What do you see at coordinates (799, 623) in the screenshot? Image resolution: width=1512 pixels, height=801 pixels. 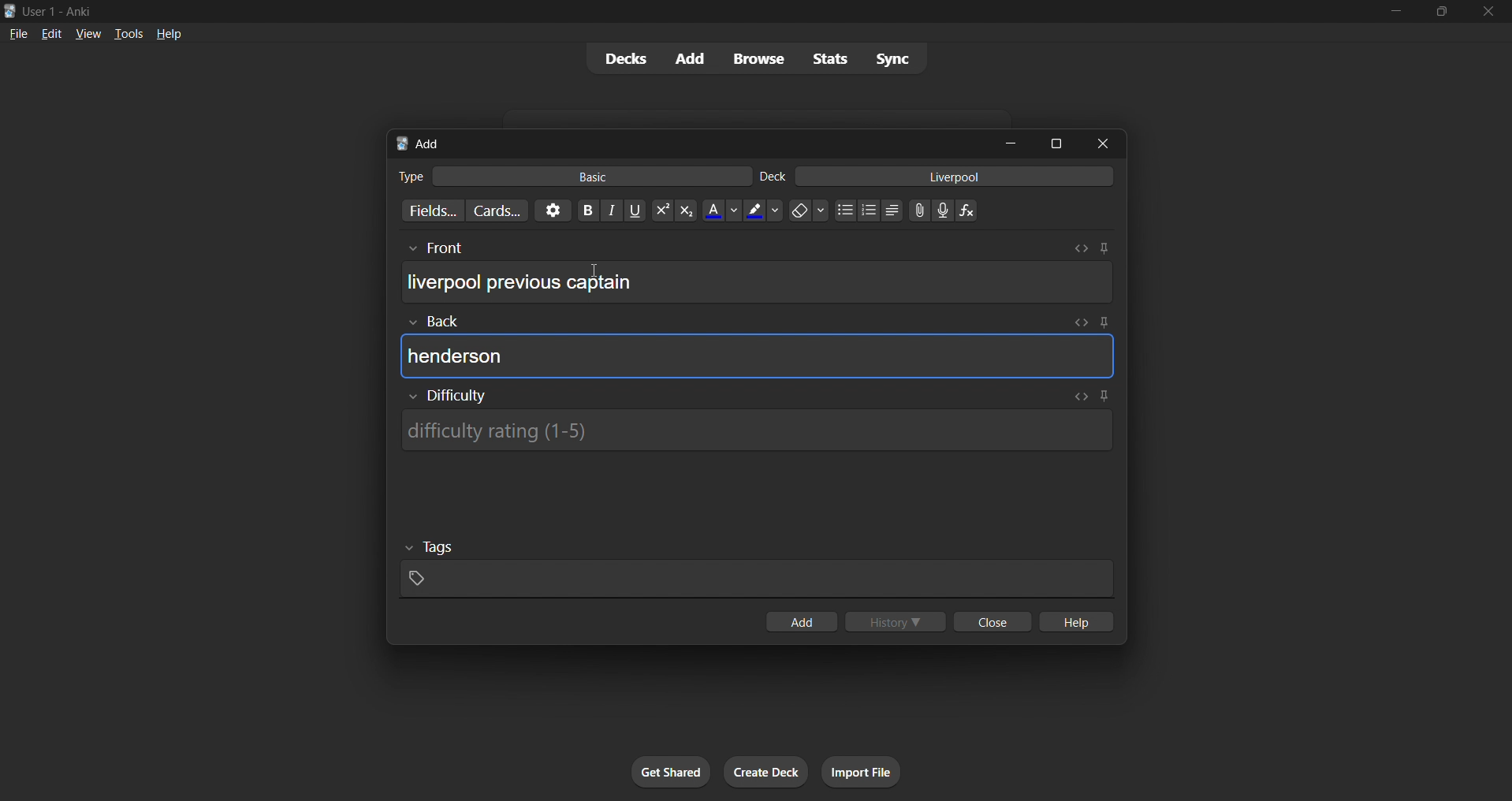 I see `add` at bounding box center [799, 623].